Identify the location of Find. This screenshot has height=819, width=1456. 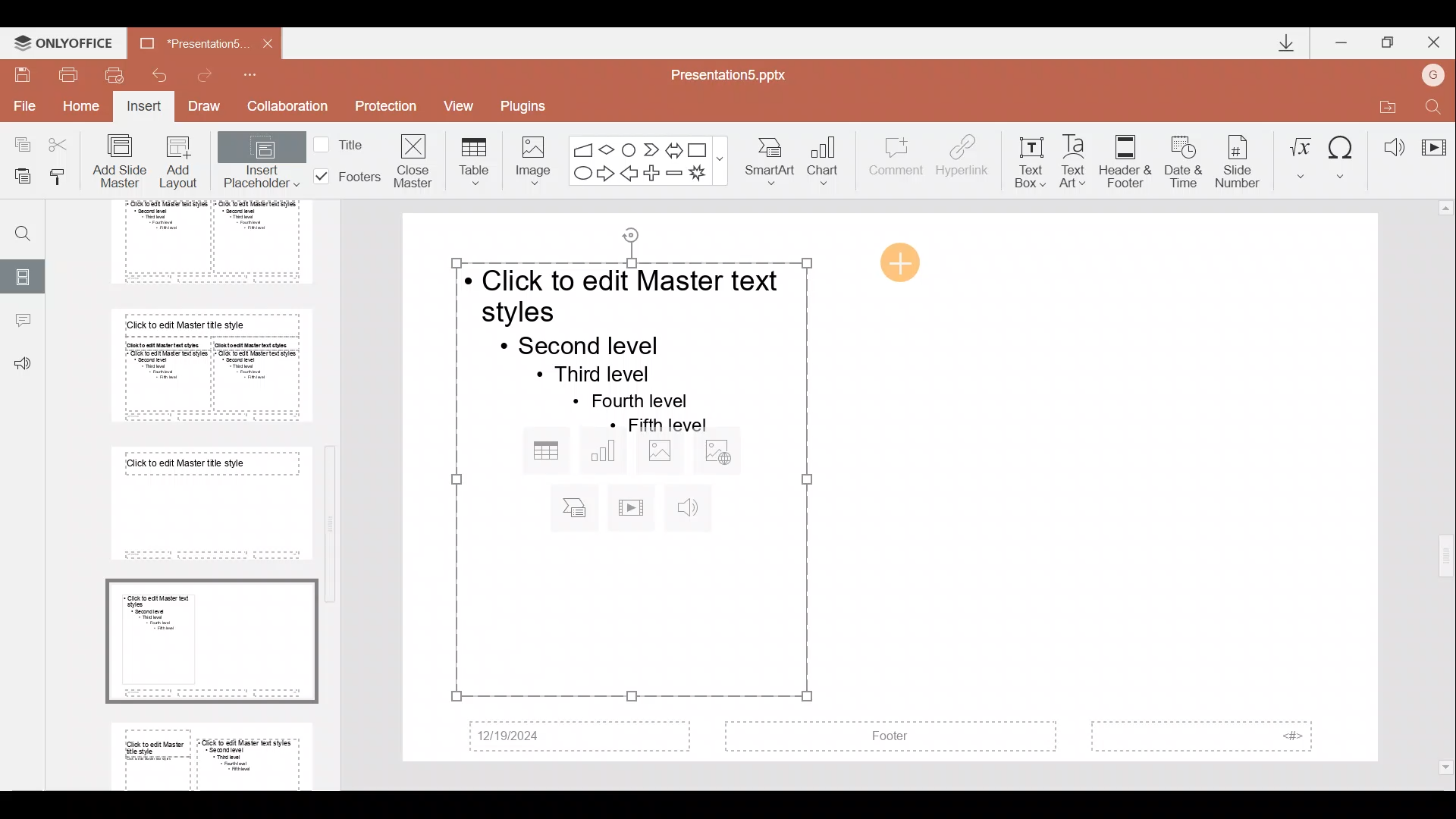
(1435, 104).